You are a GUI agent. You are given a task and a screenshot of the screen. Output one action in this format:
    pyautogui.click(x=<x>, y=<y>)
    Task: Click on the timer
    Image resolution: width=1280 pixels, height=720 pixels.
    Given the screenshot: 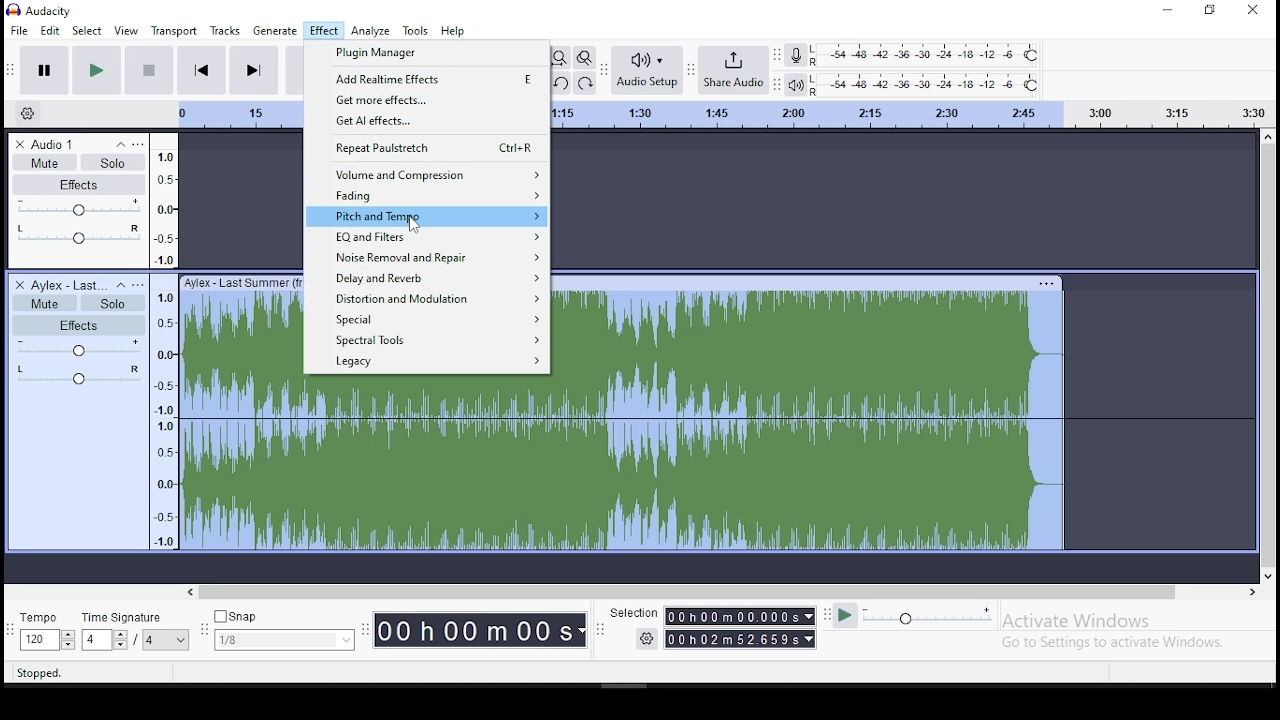 What is the action you would take?
    pyautogui.click(x=480, y=627)
    